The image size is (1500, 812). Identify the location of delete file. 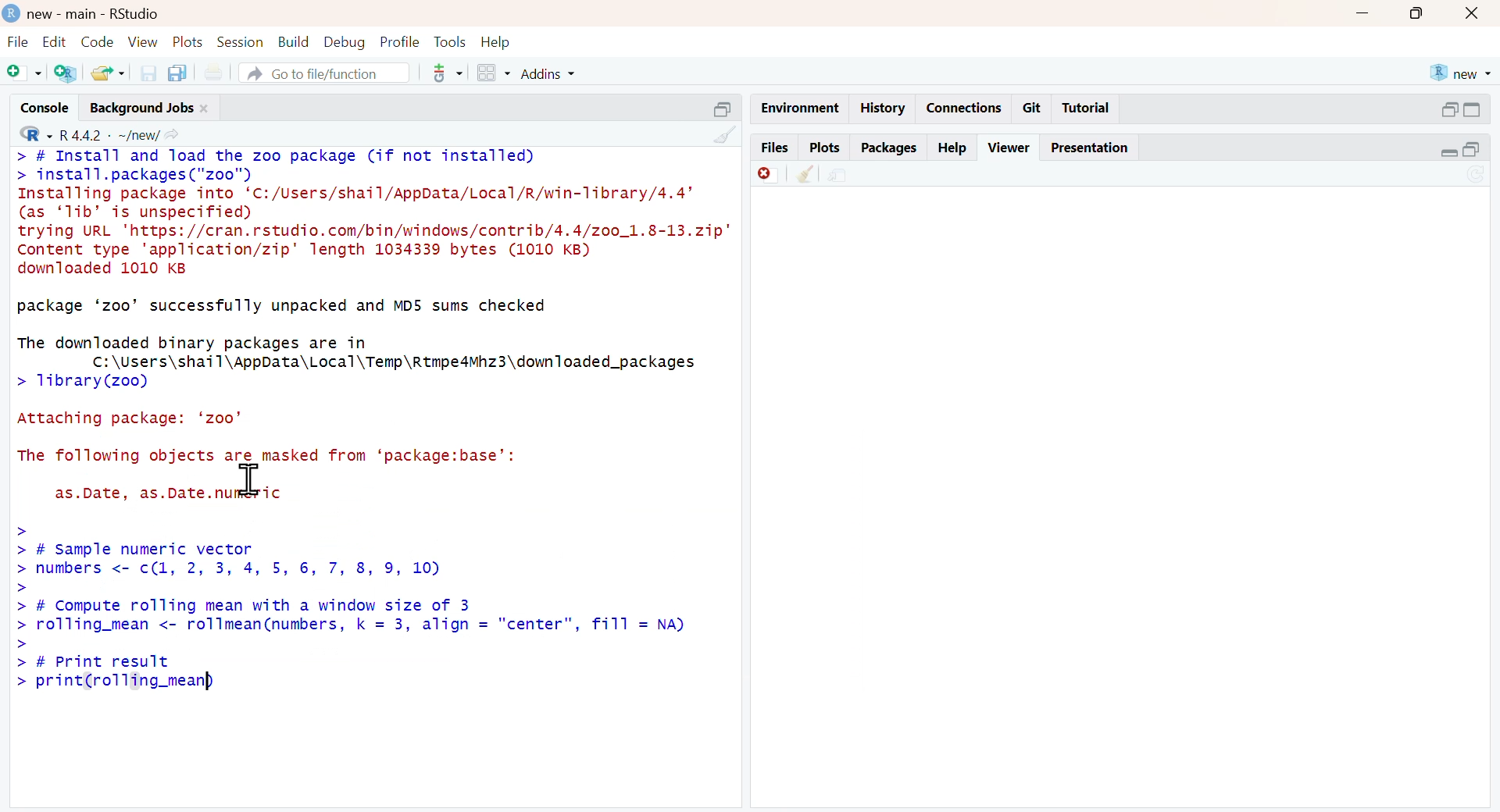
(768, 175).